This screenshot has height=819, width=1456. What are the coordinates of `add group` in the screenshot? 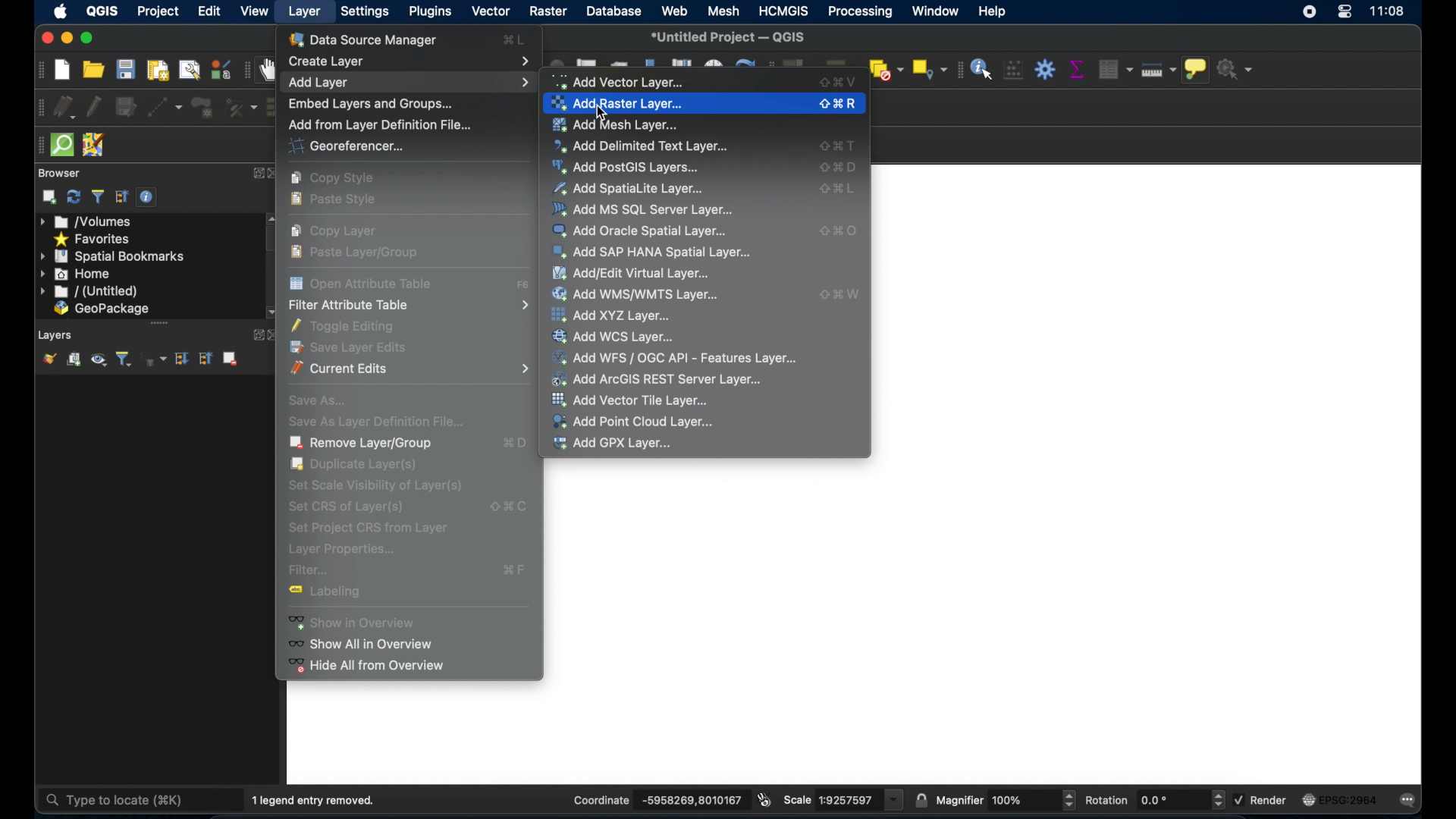 It's located at (74, 359).